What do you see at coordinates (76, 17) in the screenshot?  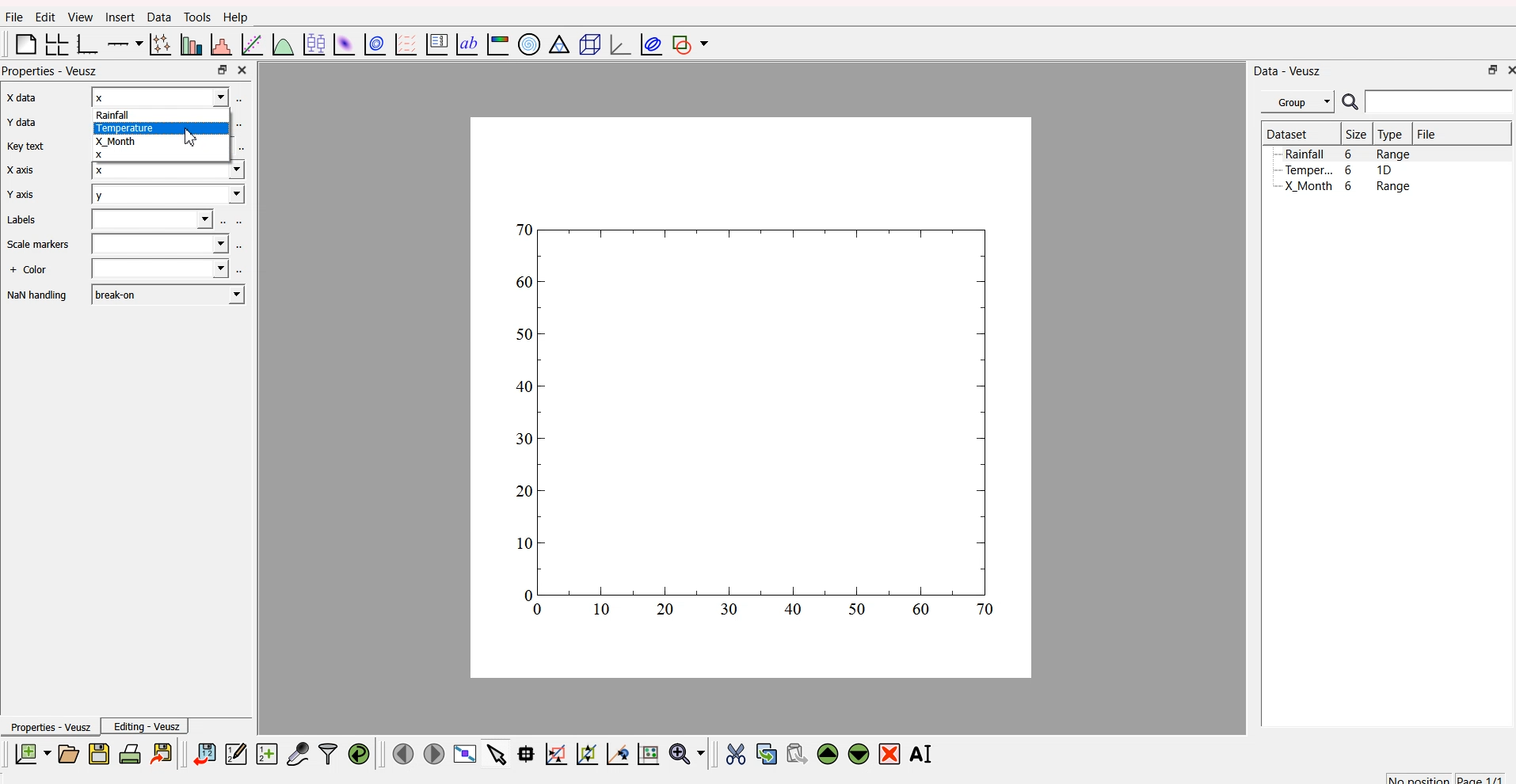 I see `View` at bounding box center [76, 17].